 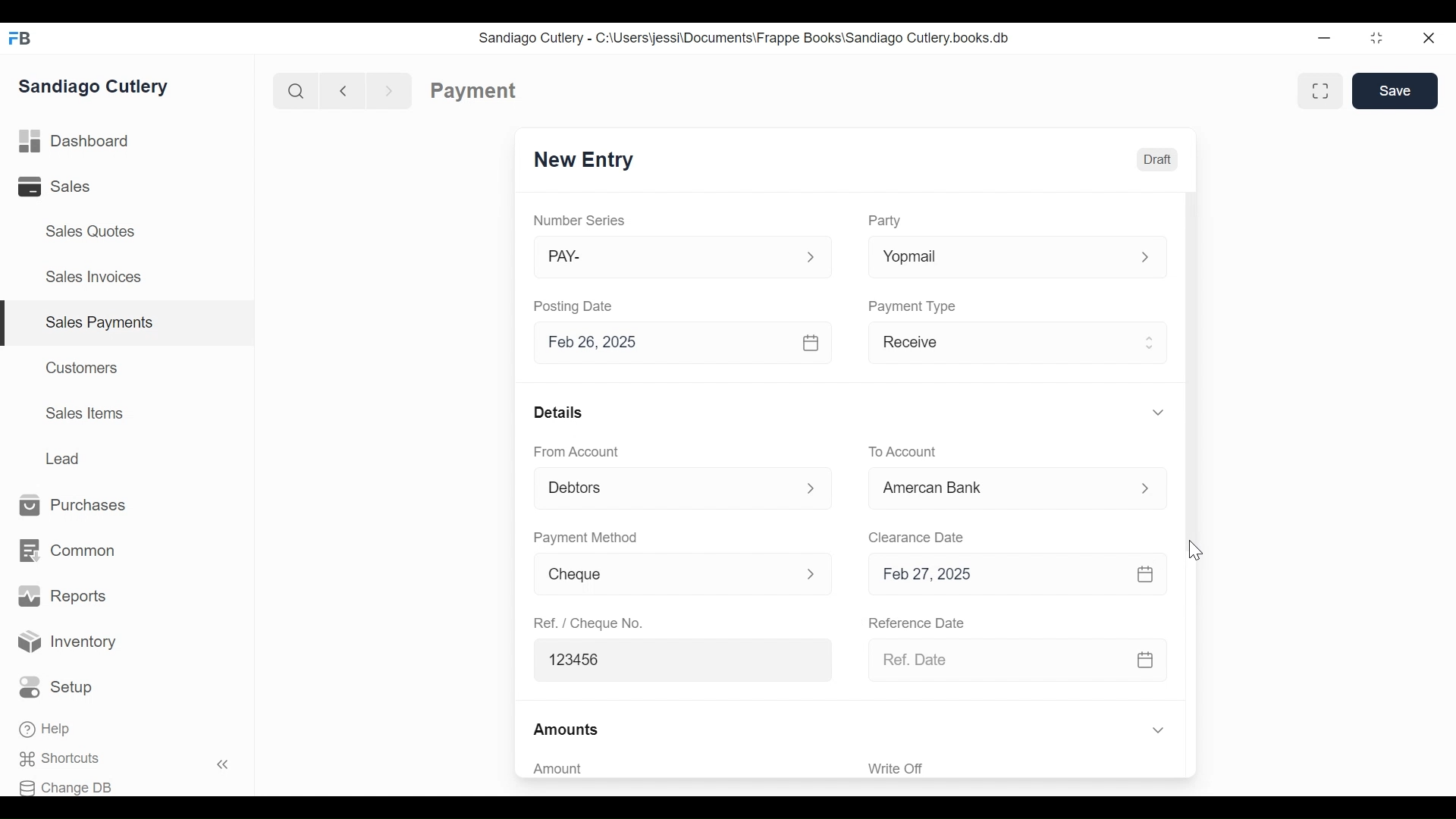 I want to click on Sales Quotes, so click(x=89, y=231).